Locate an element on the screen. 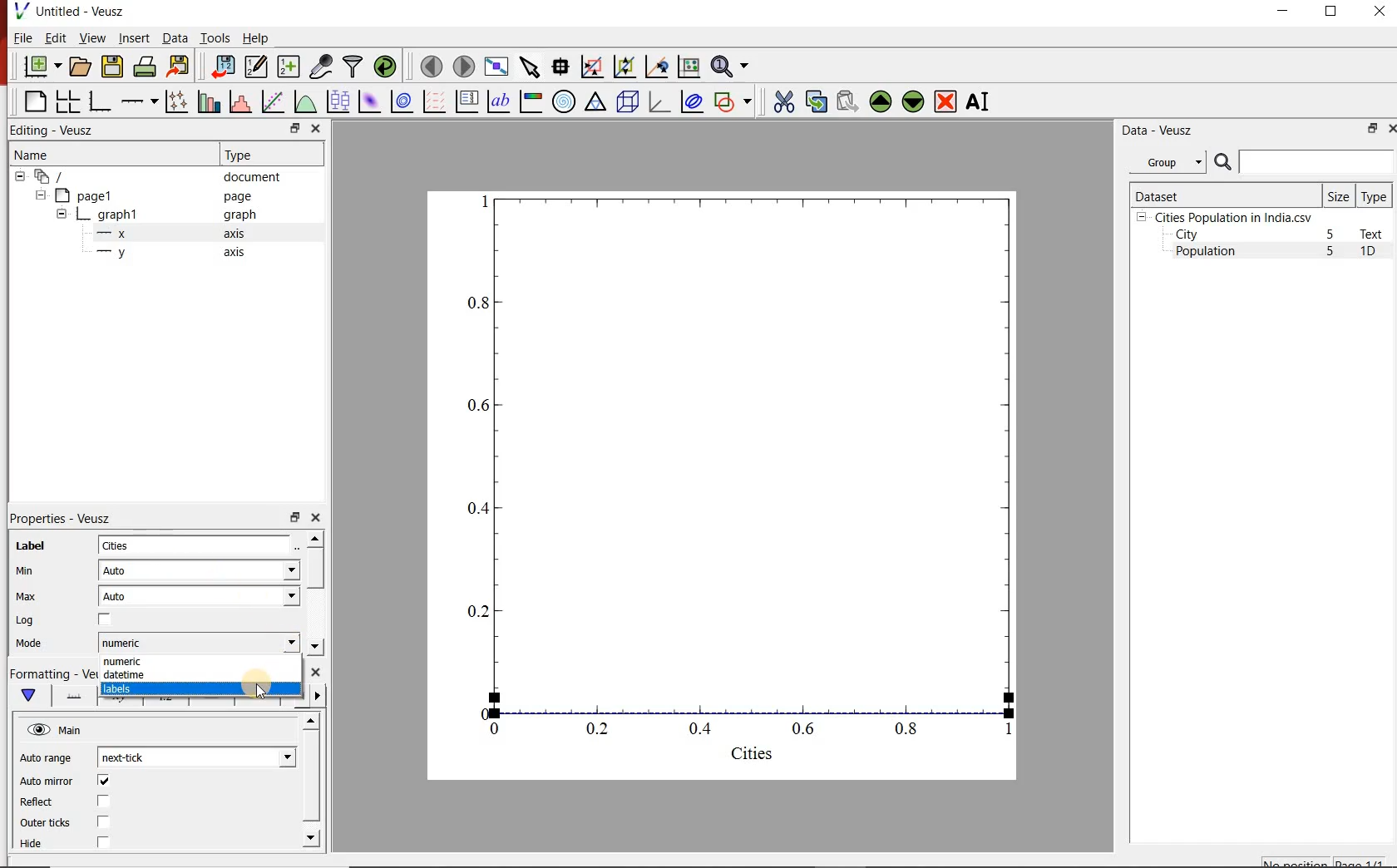 This screenshot has width=1397, height=868. Untitled-Veusz is located at coordinates (71, 12).